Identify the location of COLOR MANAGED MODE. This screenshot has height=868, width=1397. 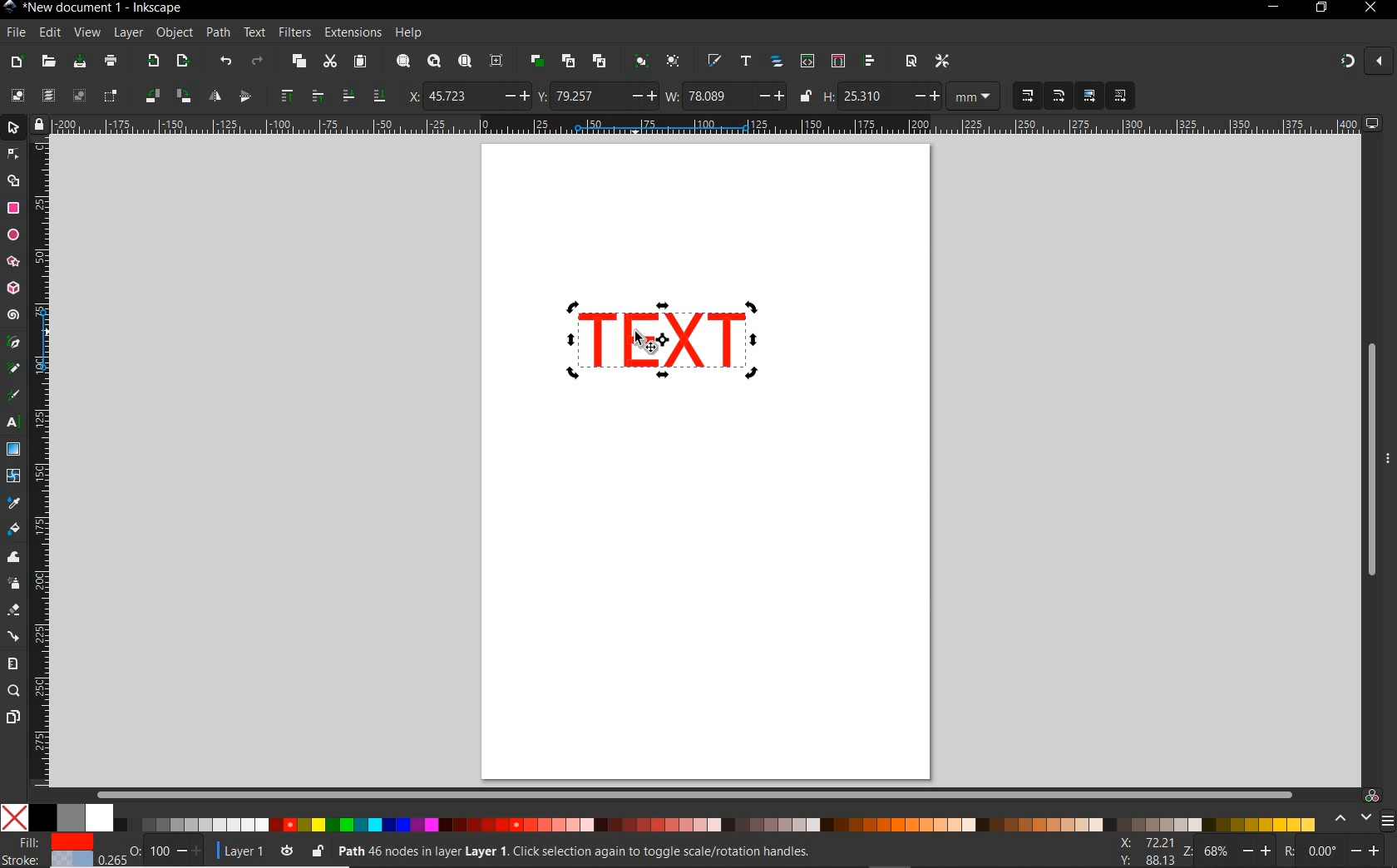
(1361, 809).